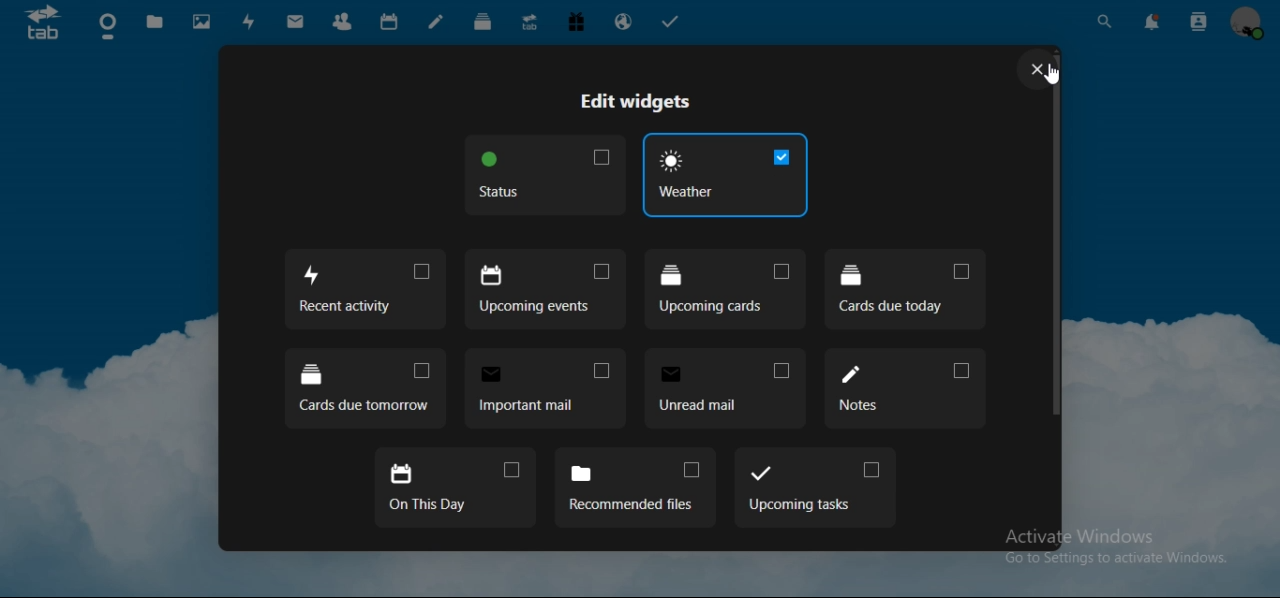 Image resolution: width=1280 pixels, height=598 pixels. I want to click on scrollbar, so click(1054, 282).